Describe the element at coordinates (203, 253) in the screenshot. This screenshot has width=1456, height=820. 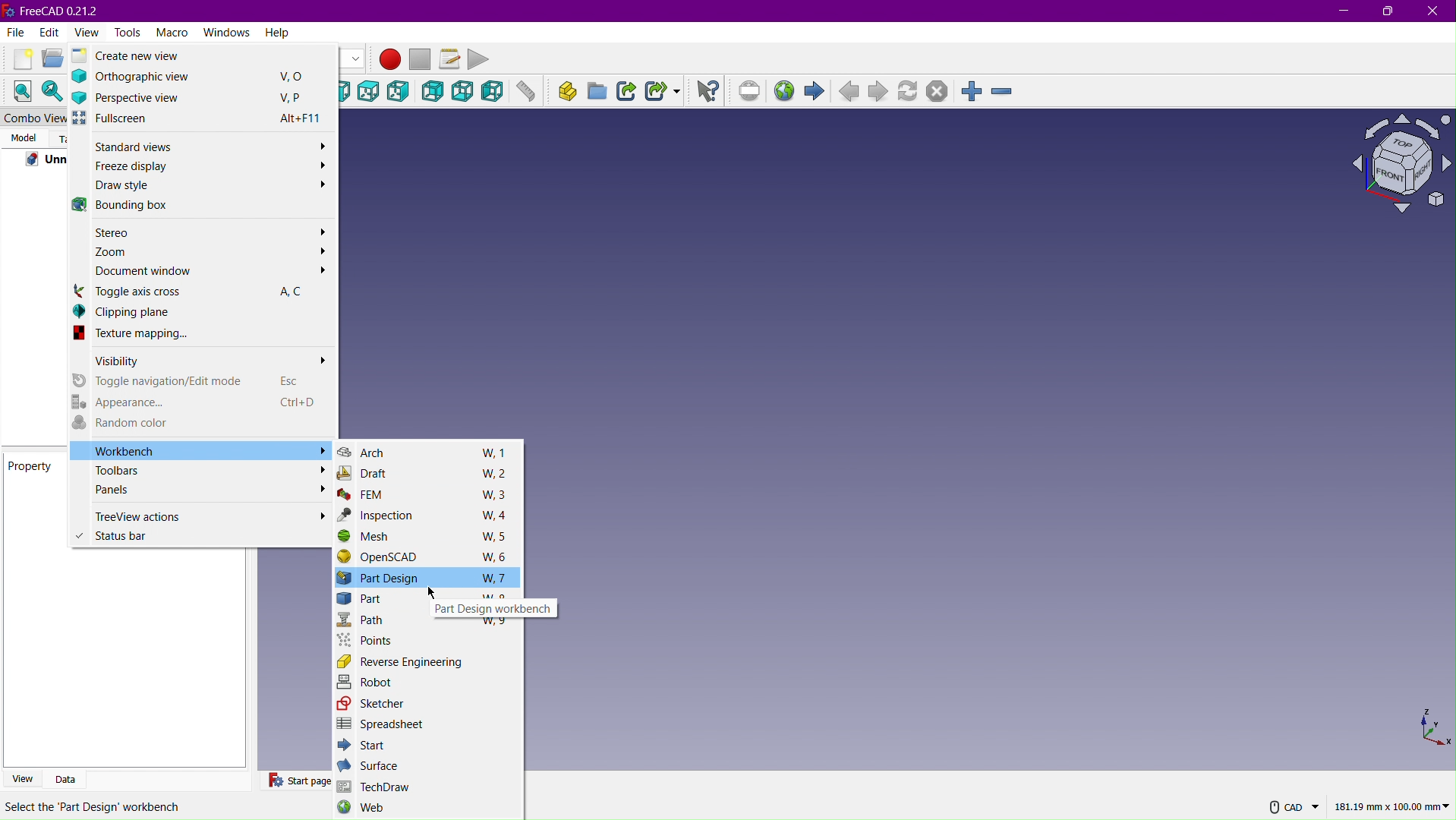
I see `Zoom` at that location.